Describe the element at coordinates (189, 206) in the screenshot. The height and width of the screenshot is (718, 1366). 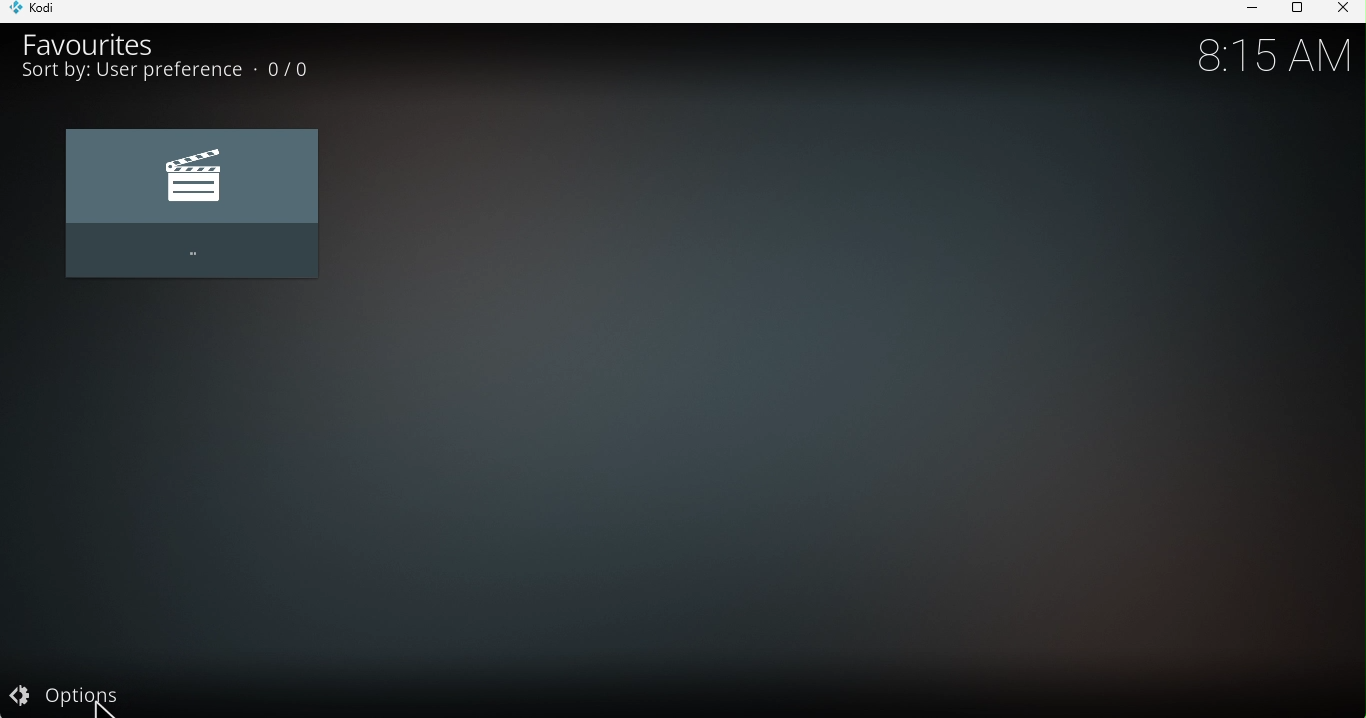
I see `Favourites library` at that location.